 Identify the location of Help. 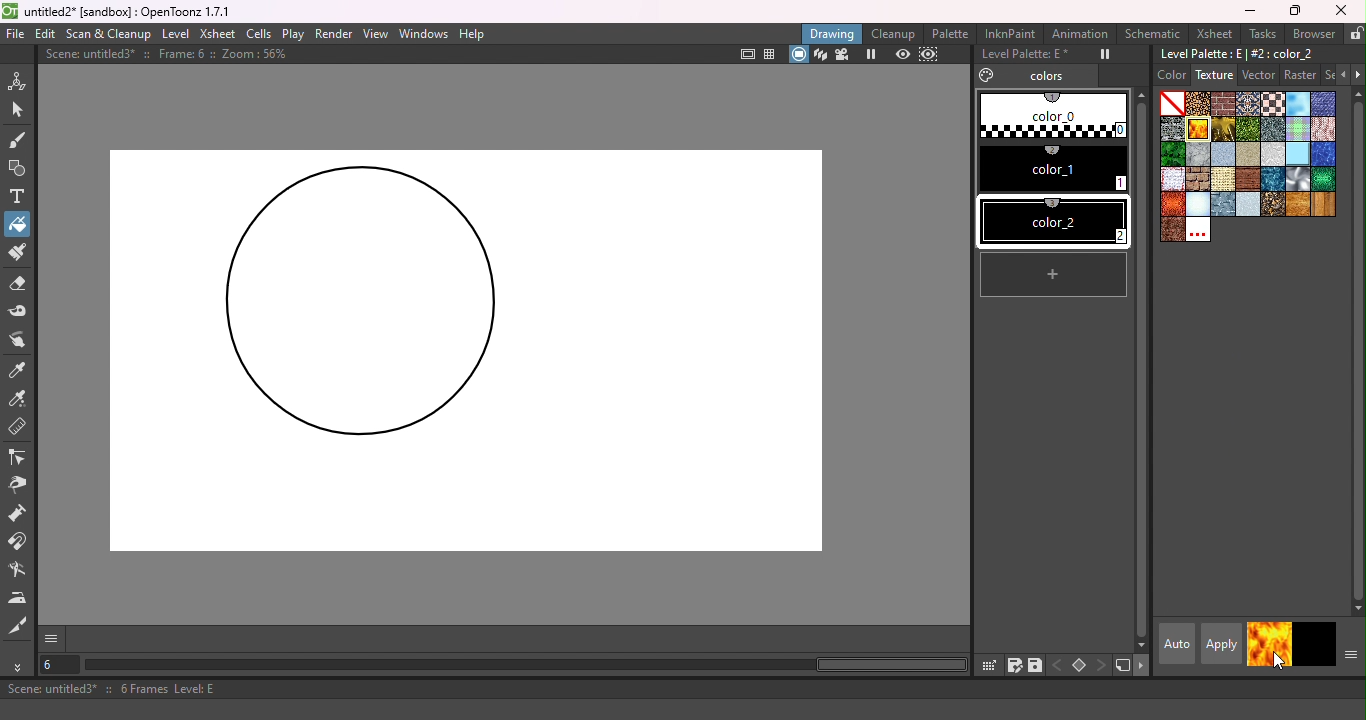
(472, 34).